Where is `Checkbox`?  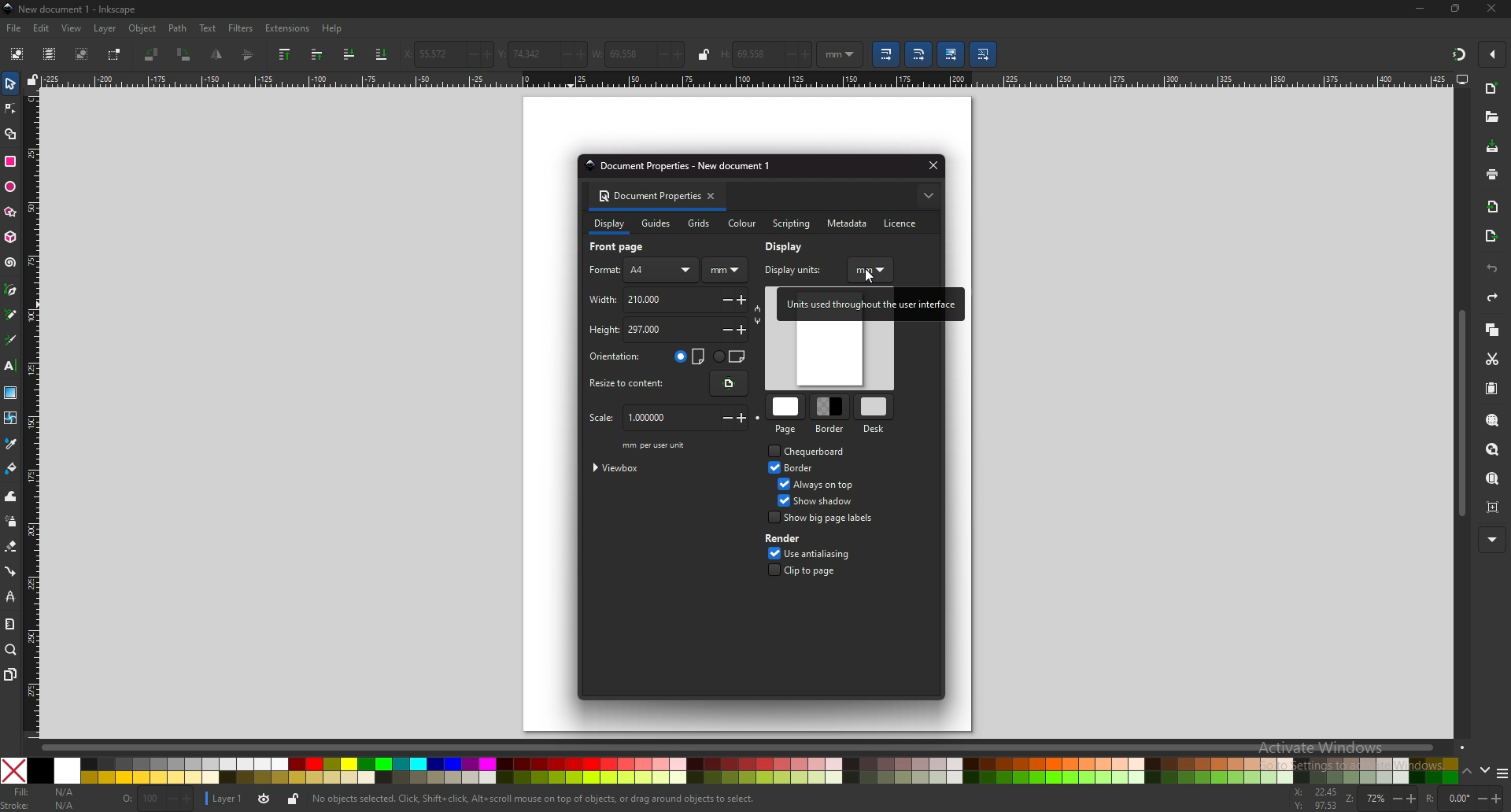 Checkbox is located at coordinates (770, 552).